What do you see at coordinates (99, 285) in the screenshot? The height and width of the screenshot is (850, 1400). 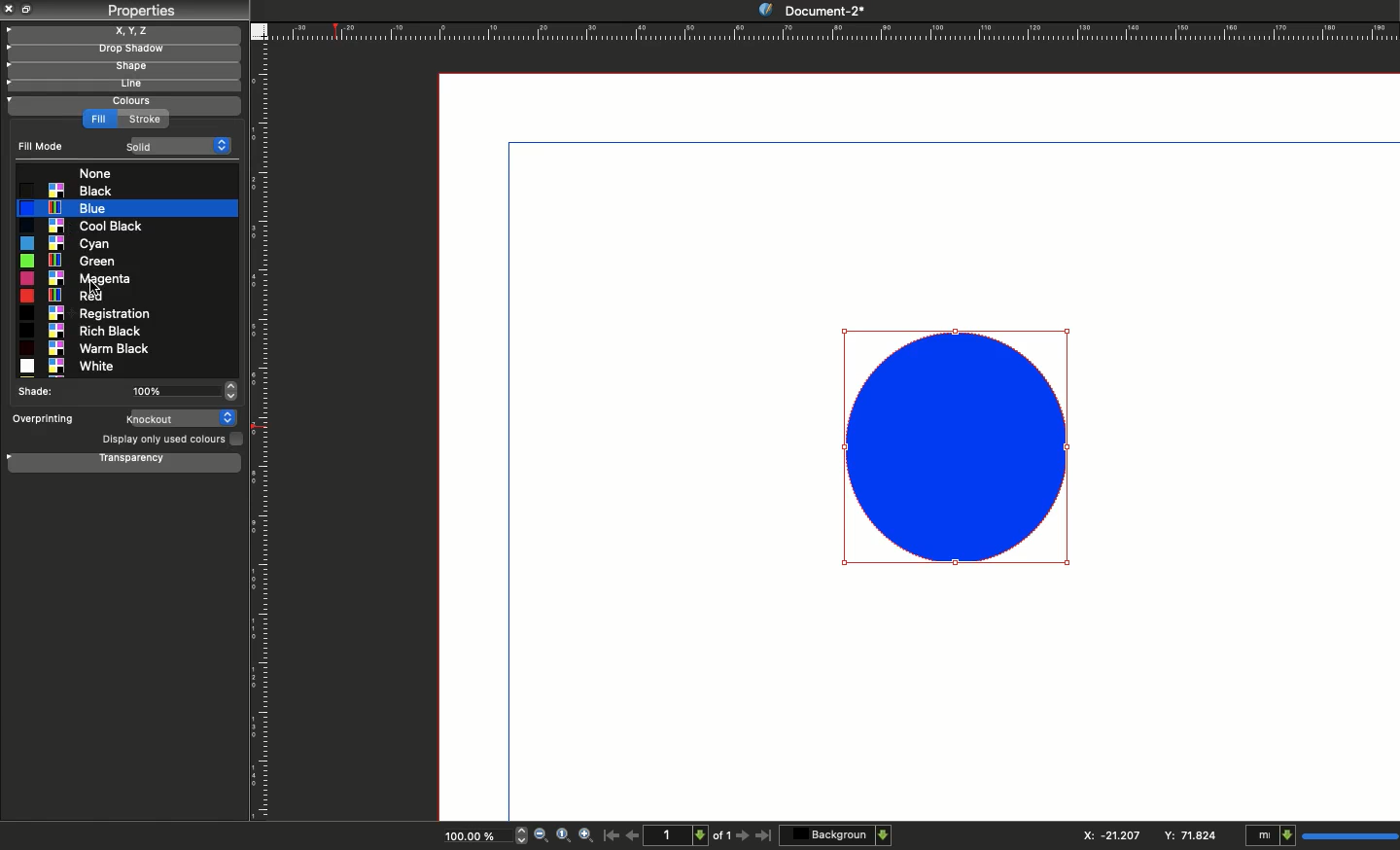 I see `cursor` at bounding box center [99, 285].